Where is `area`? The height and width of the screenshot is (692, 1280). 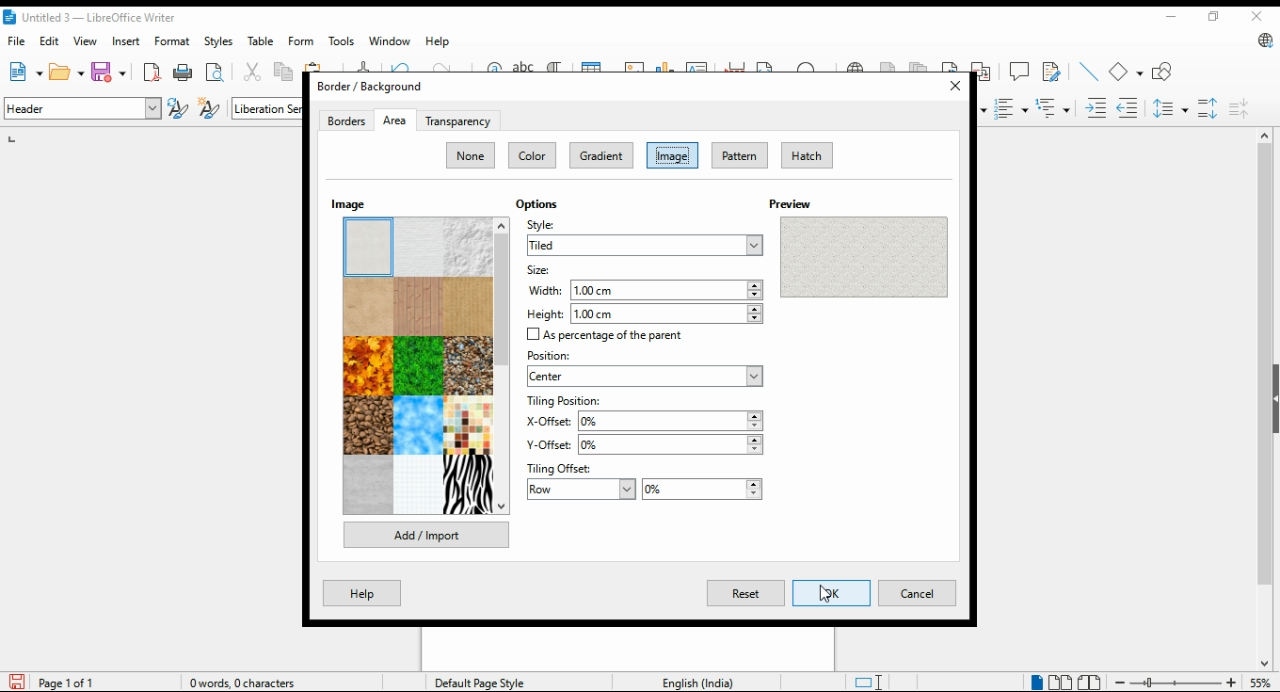 area is located at coordinates (395, 121).